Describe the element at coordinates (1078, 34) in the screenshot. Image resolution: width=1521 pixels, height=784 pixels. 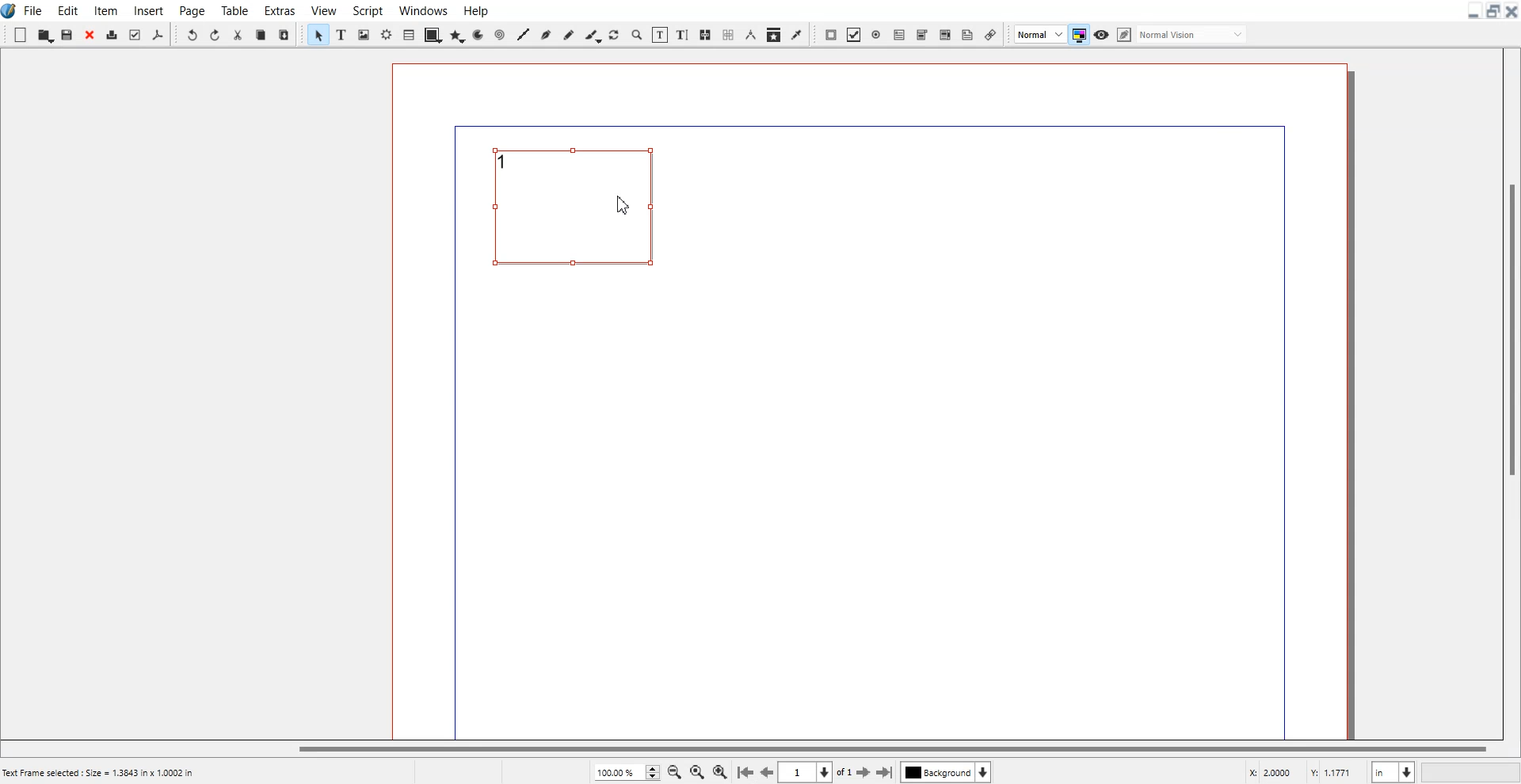
I see `Toggler mode` at that location.